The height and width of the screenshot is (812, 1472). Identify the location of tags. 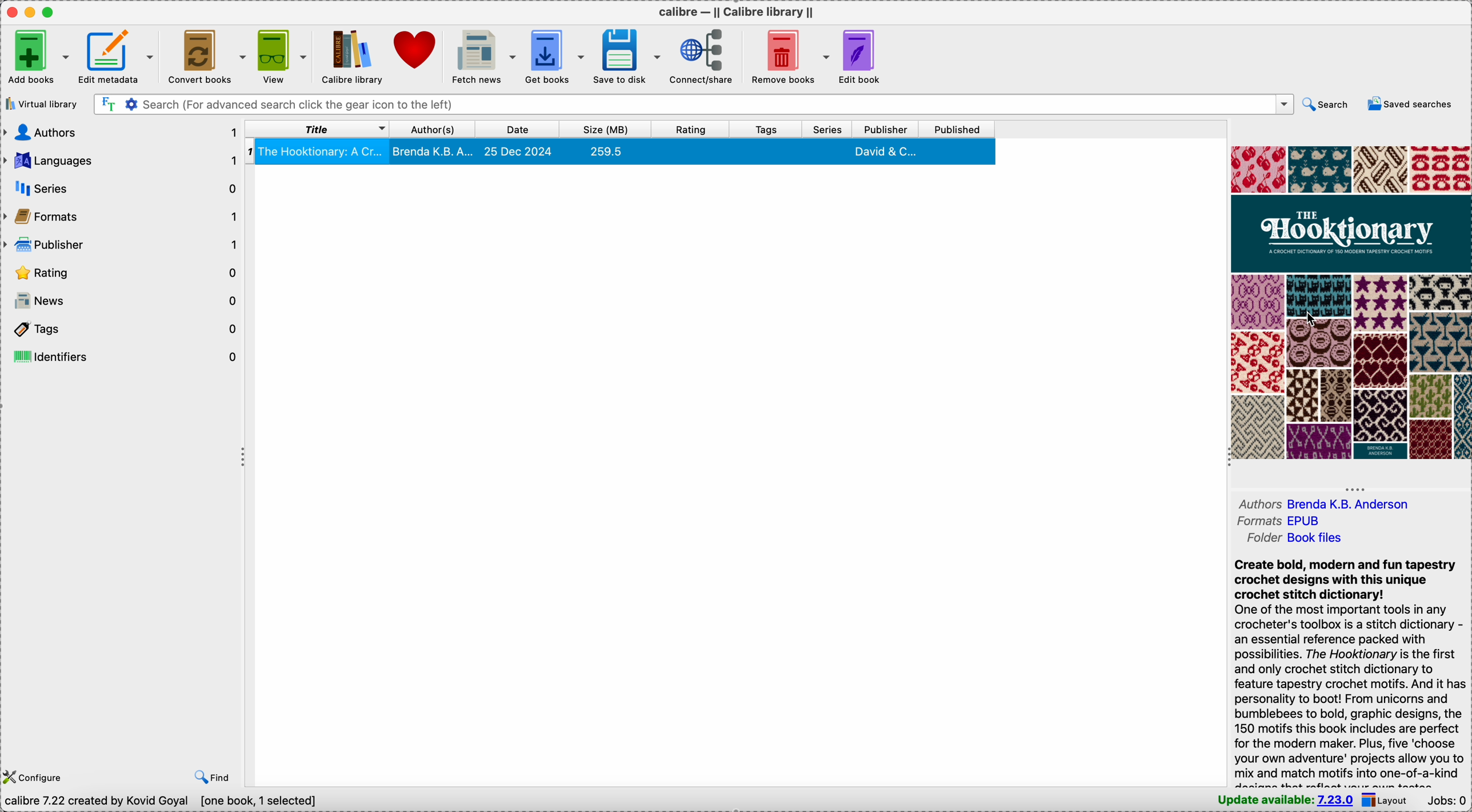
(765, 129).